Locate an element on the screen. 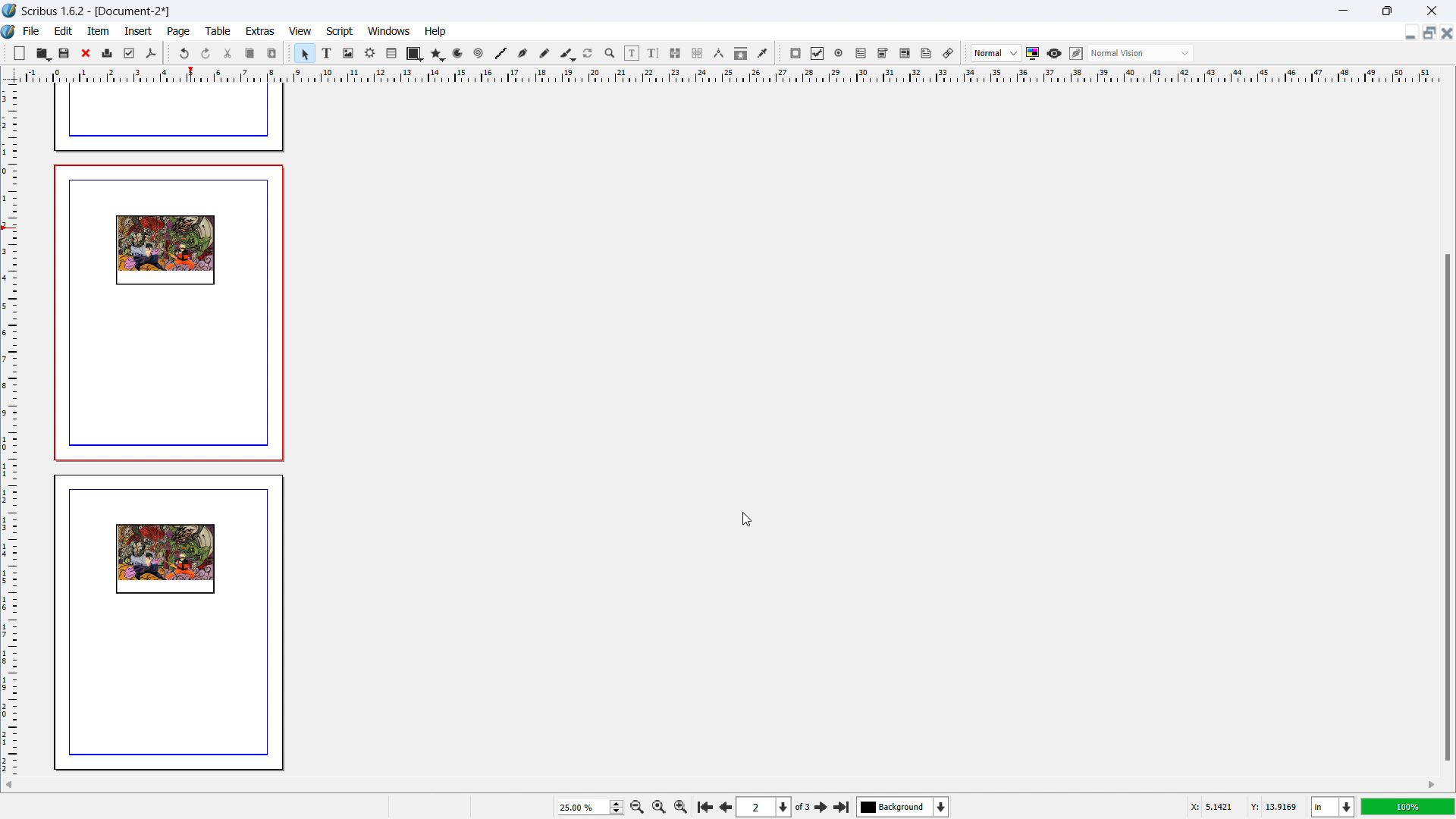 The height and width of the screenshot is (819, 1456). freehand line is located at coordinates (545, 54).